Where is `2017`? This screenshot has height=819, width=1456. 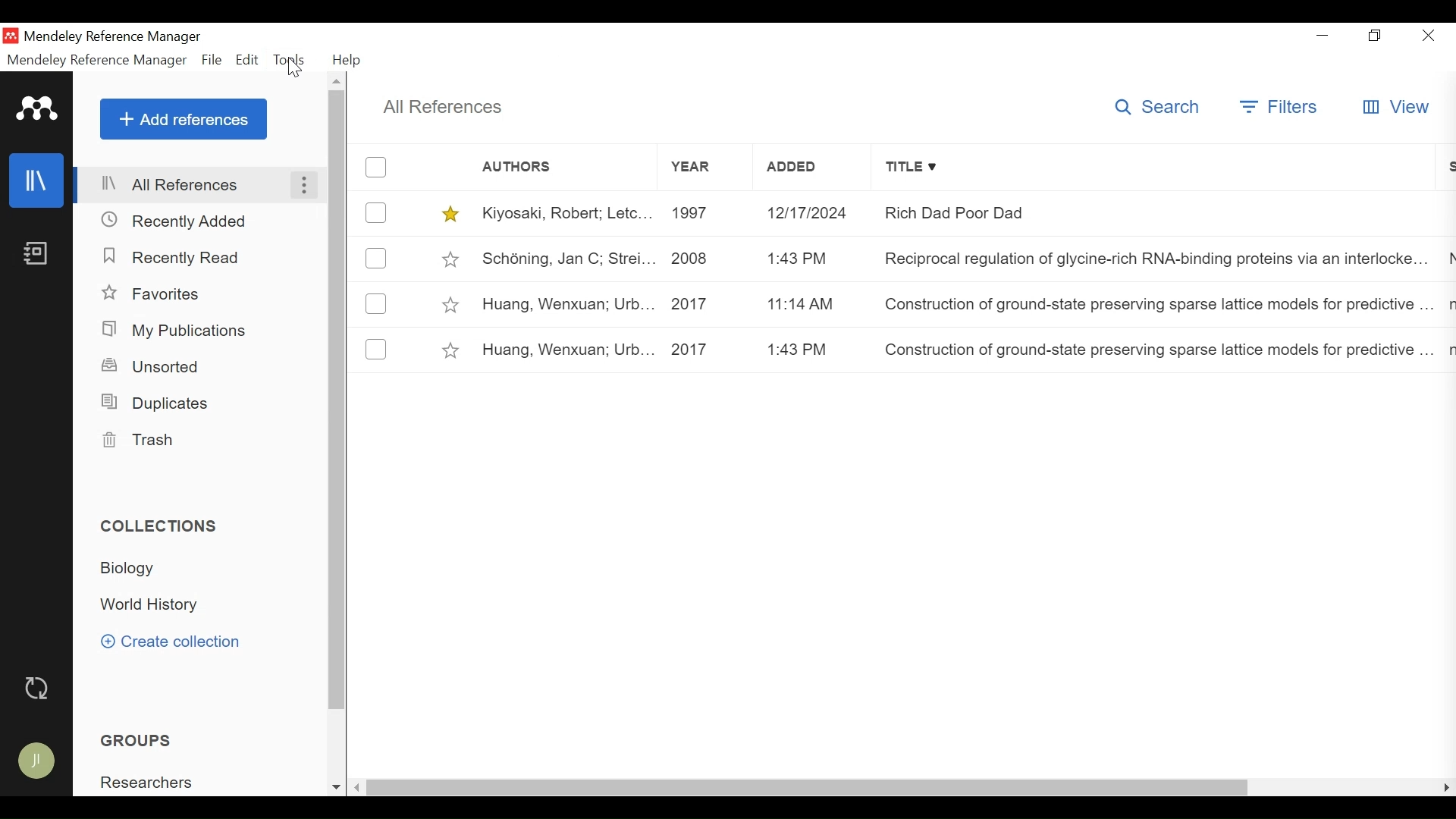
2017 is located at coordinates (708, 306).